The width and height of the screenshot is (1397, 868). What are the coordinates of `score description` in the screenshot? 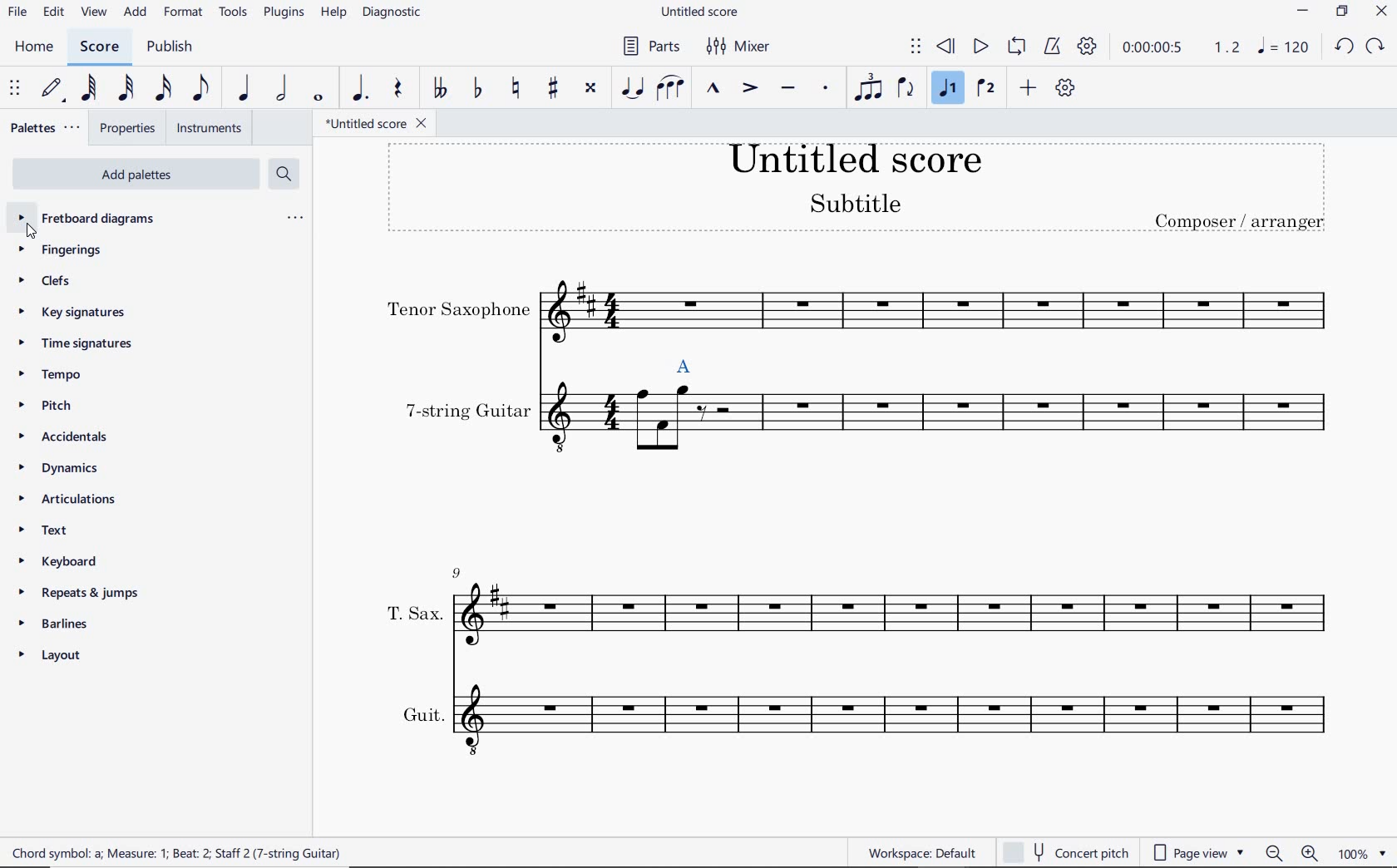 It's located at (179, 851).